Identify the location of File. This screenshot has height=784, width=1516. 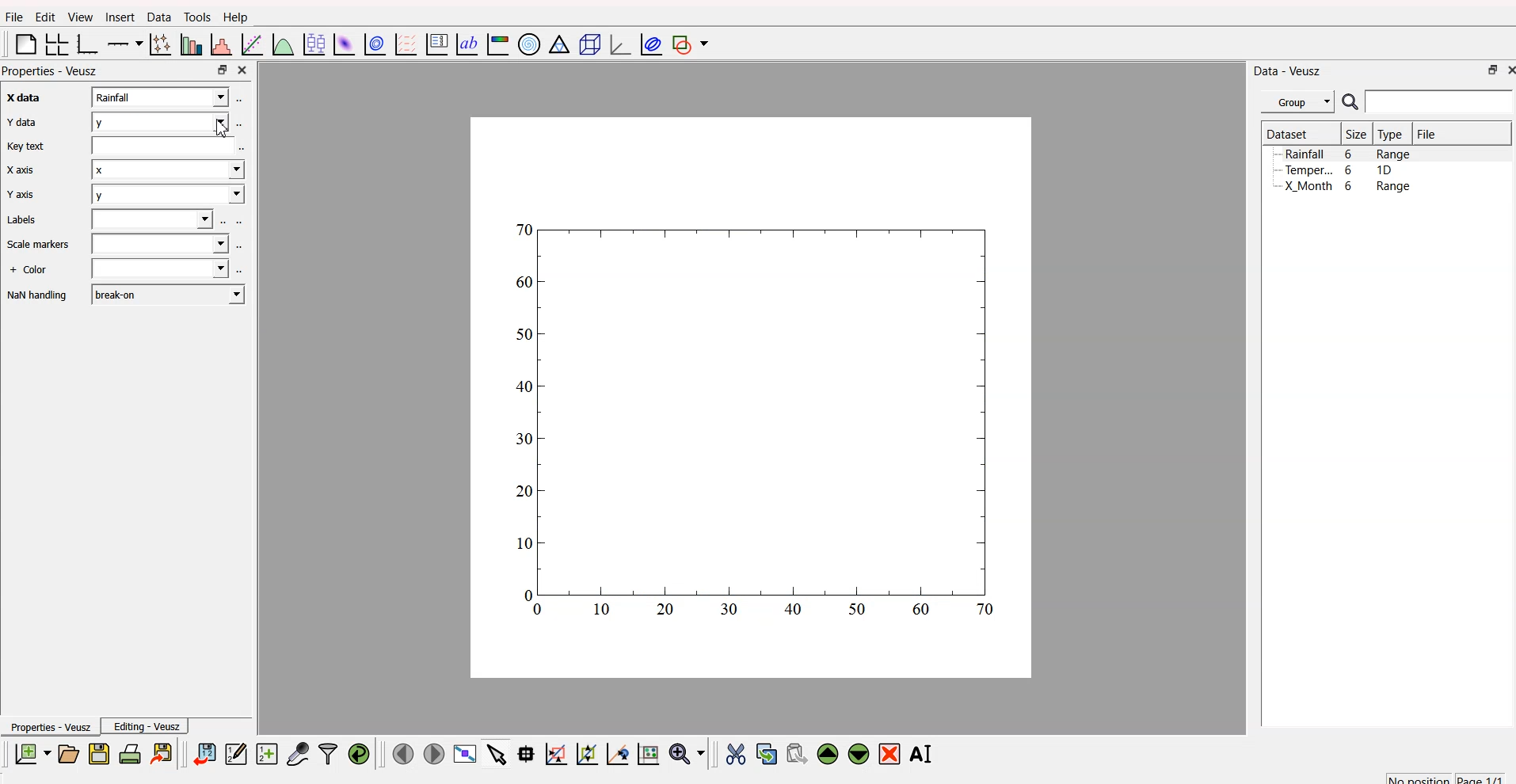
(1428, 134).